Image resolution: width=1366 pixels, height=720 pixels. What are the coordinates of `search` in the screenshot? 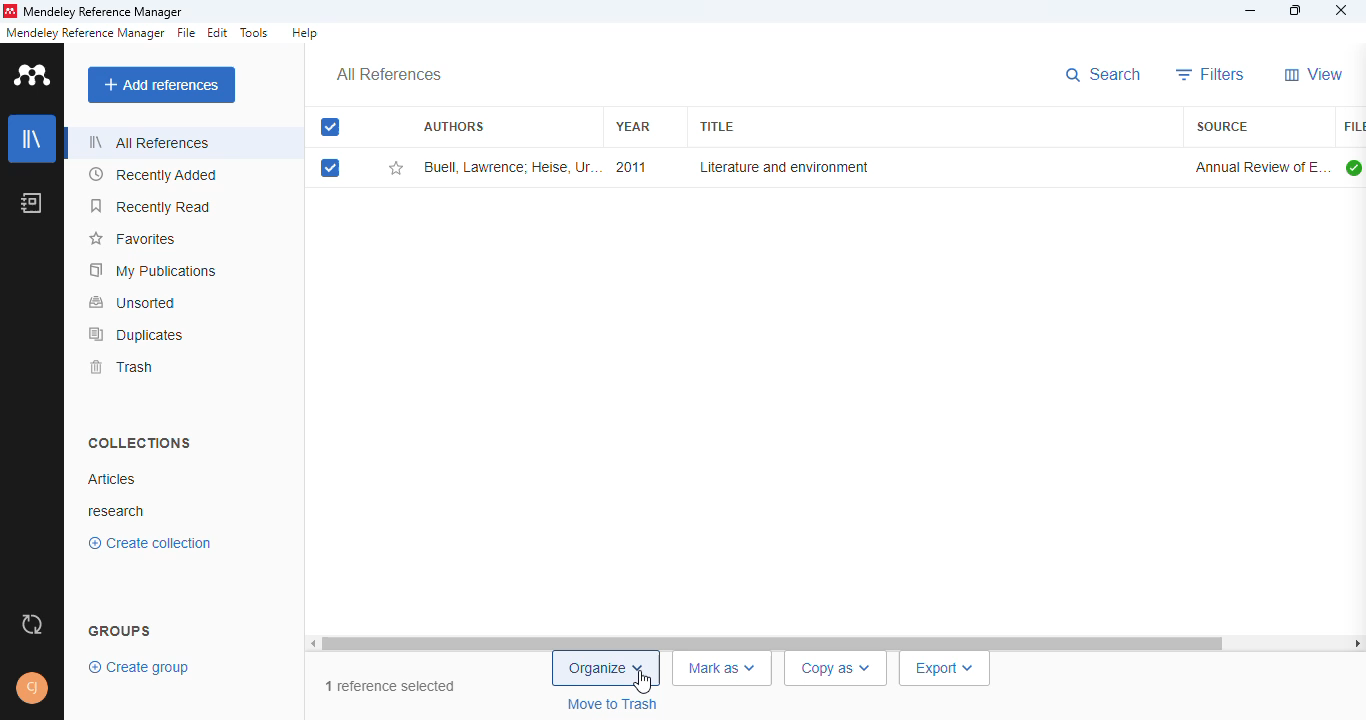 It's located at (1104, 75).